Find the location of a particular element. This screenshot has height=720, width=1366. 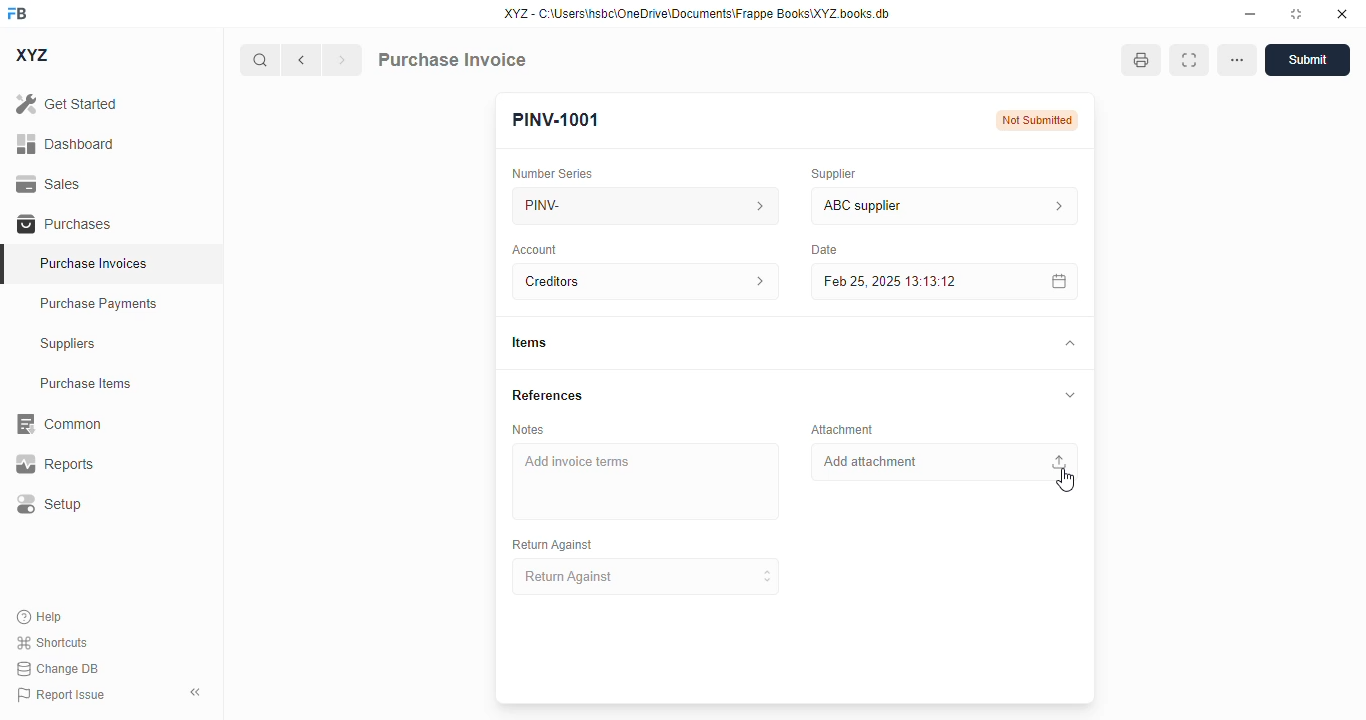

search is located at coordinates (261, 60).